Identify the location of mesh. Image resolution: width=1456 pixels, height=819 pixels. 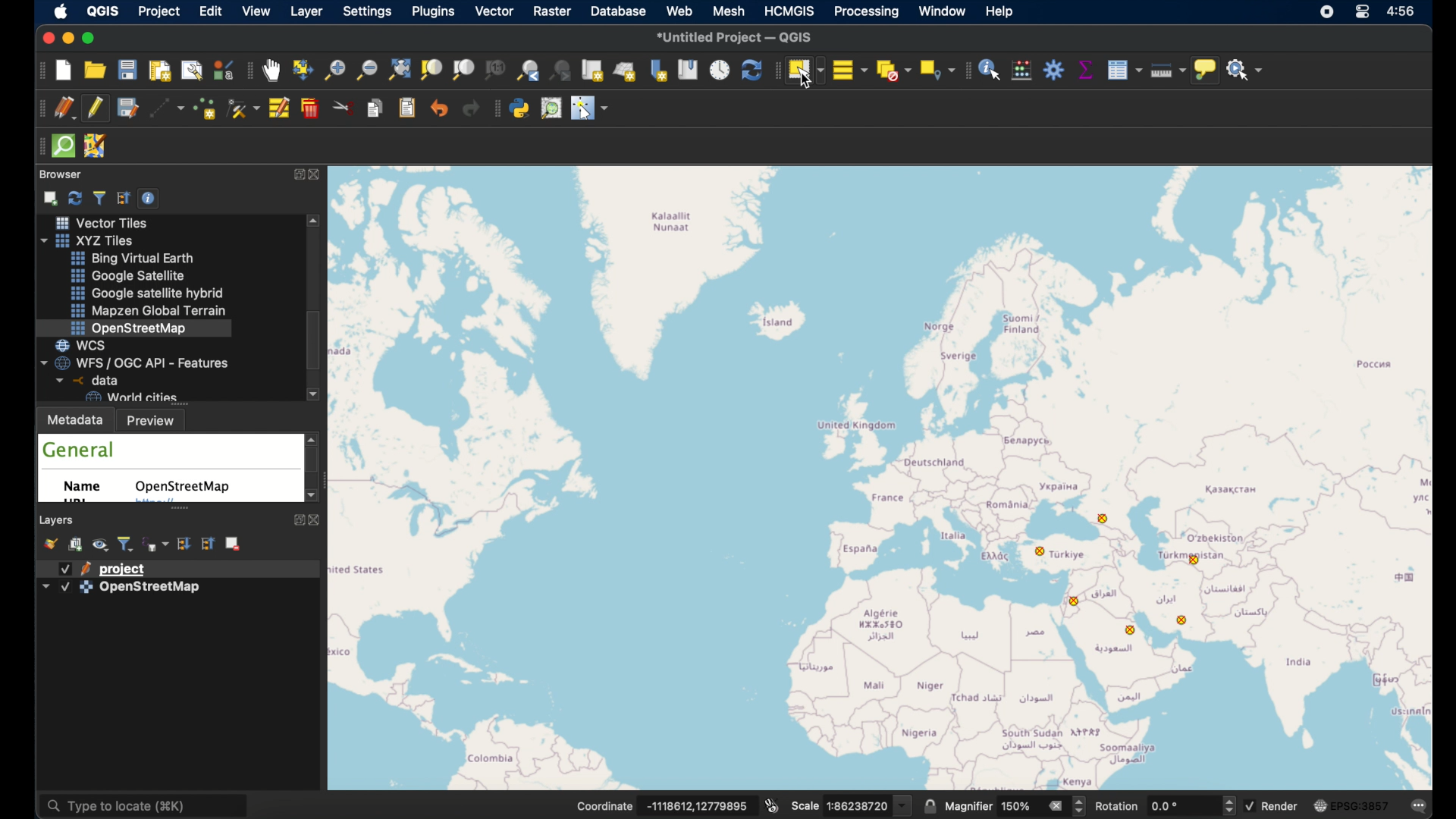
(727, 10).